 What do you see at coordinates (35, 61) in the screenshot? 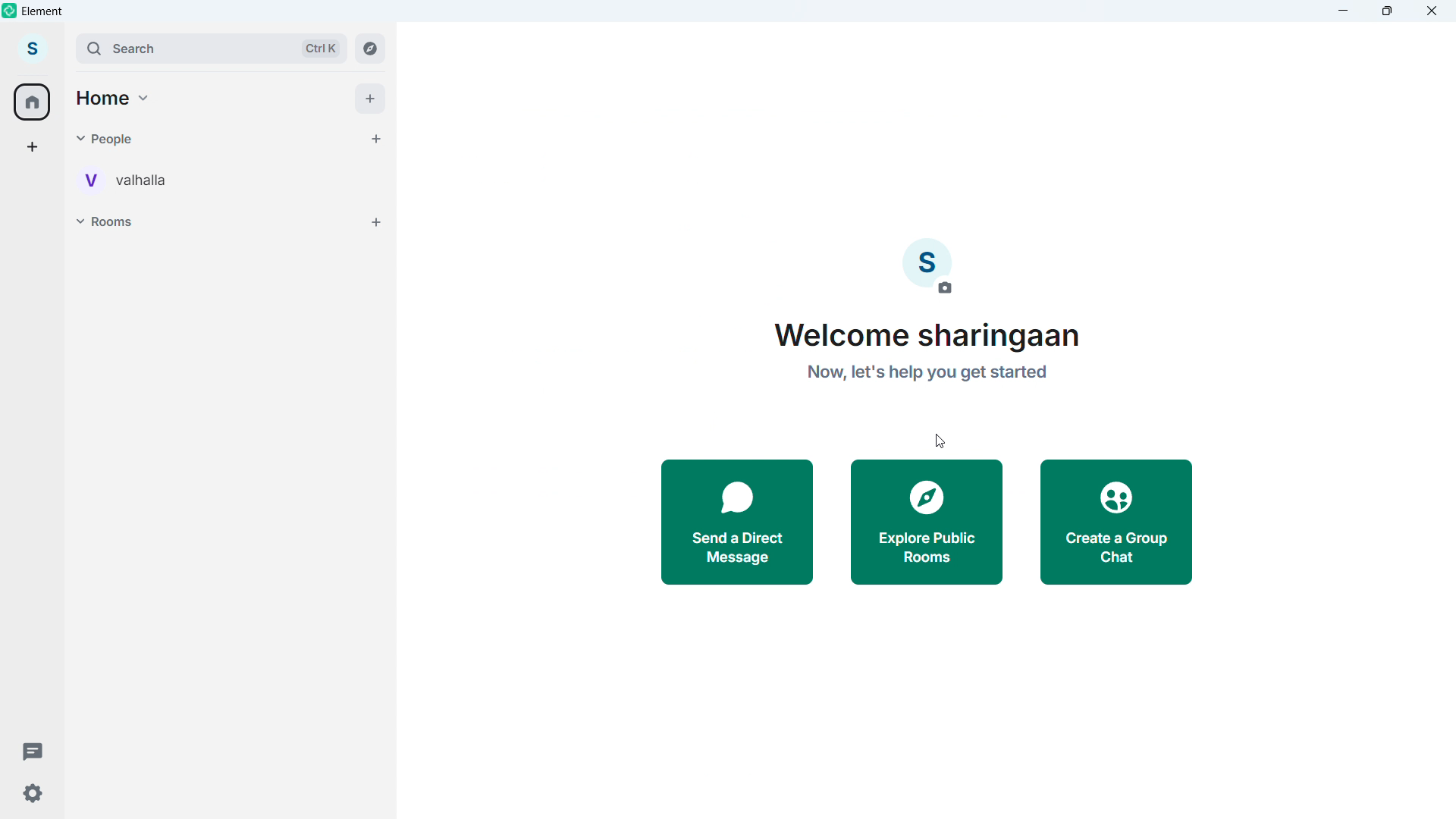
I see `cursor ` at bounding box center [35, 61].